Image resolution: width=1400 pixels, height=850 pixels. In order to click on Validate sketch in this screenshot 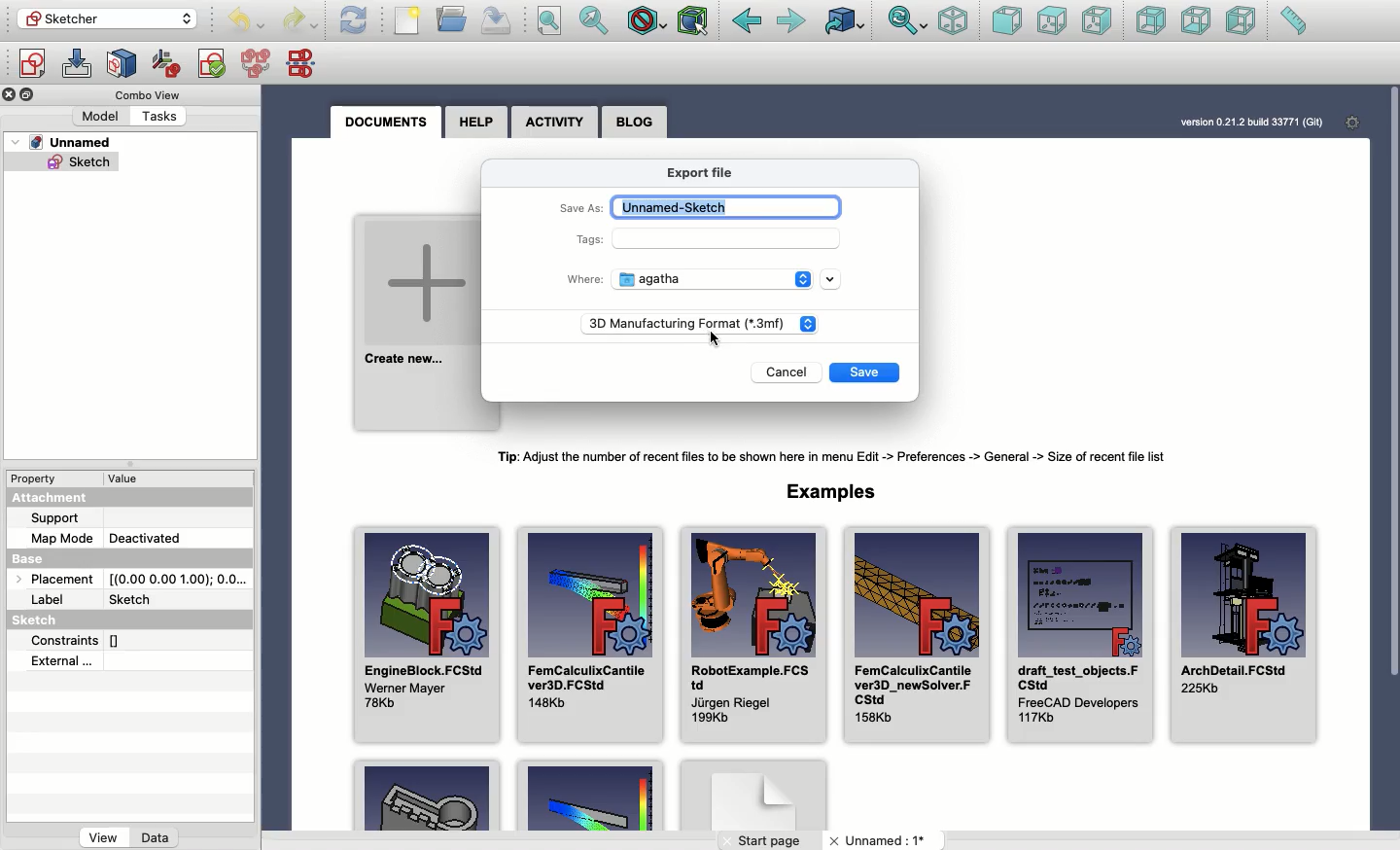, I will do `click(211, 62)`.